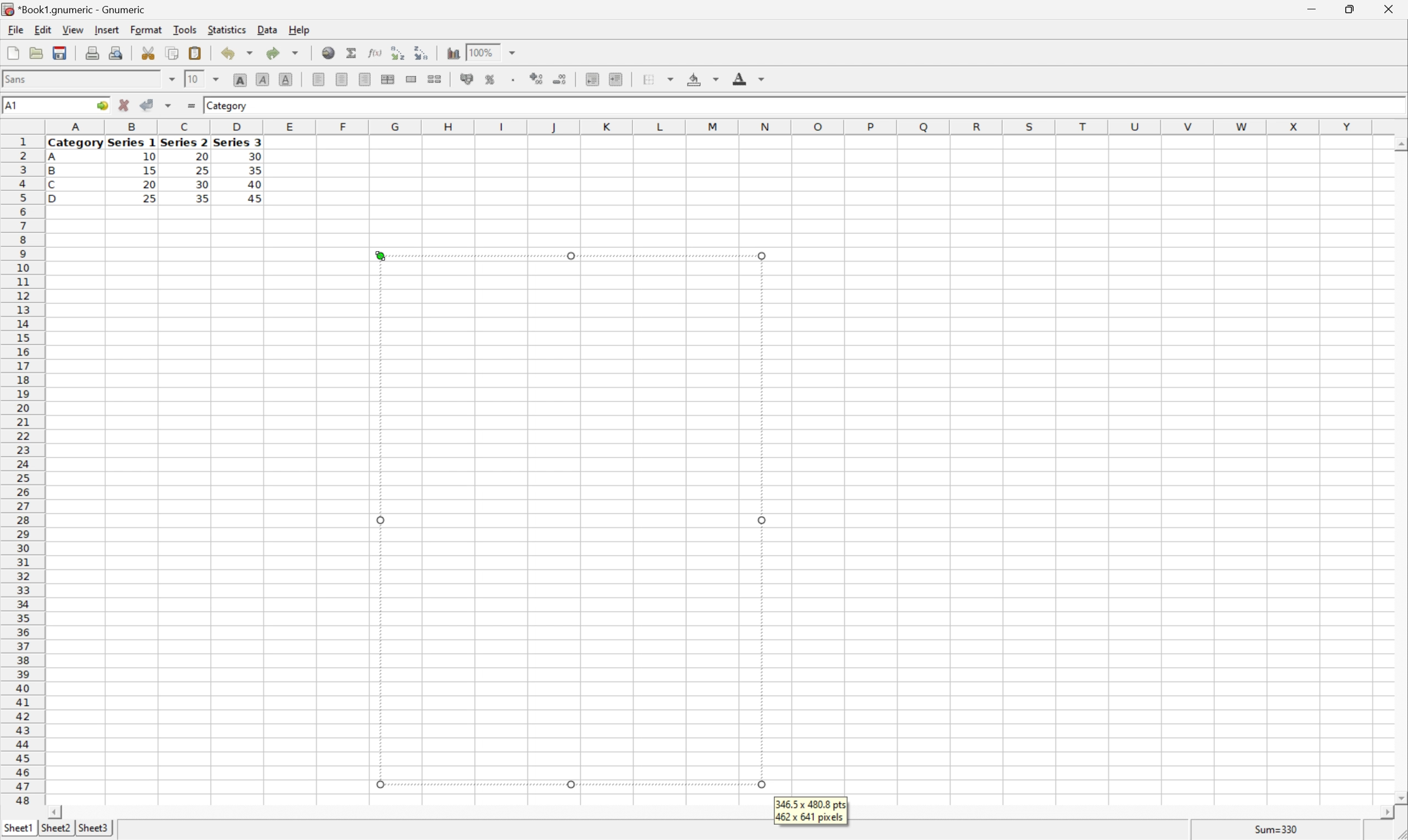 The image size is (1408, 840). What do you see at coordinates (410, 79) in the screenshot?
I see `Merge a range of cells` at bounding box center [410, 79].